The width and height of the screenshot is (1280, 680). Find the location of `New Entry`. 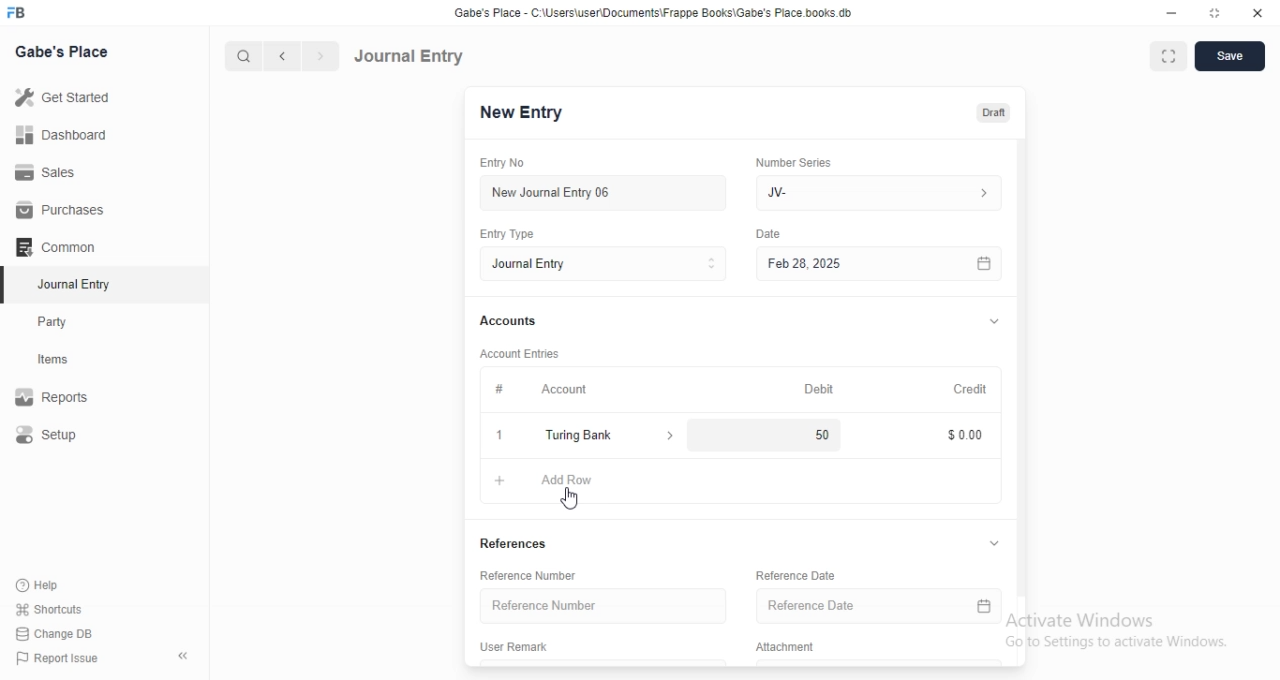

New Entry is located at coordinates (519, 113).